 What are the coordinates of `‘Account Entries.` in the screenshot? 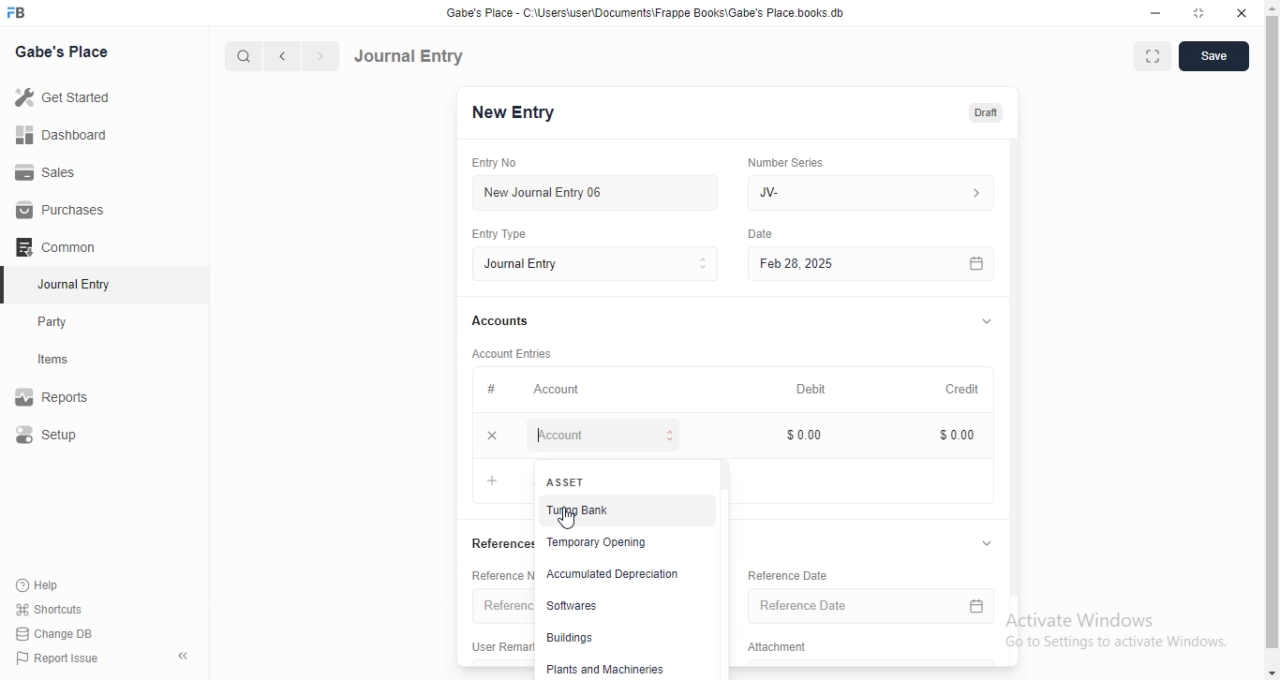 It's located at (528, 352).